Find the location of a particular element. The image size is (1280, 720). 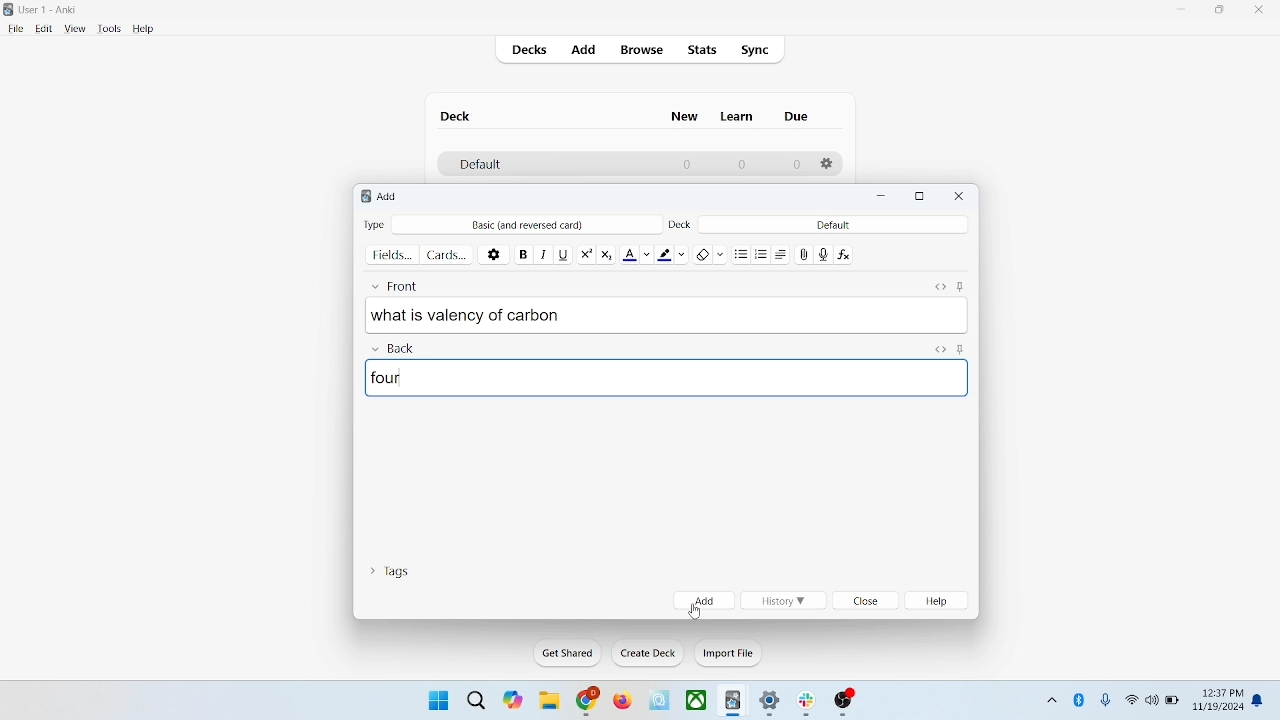

fields is located at coordinates (392, 253).